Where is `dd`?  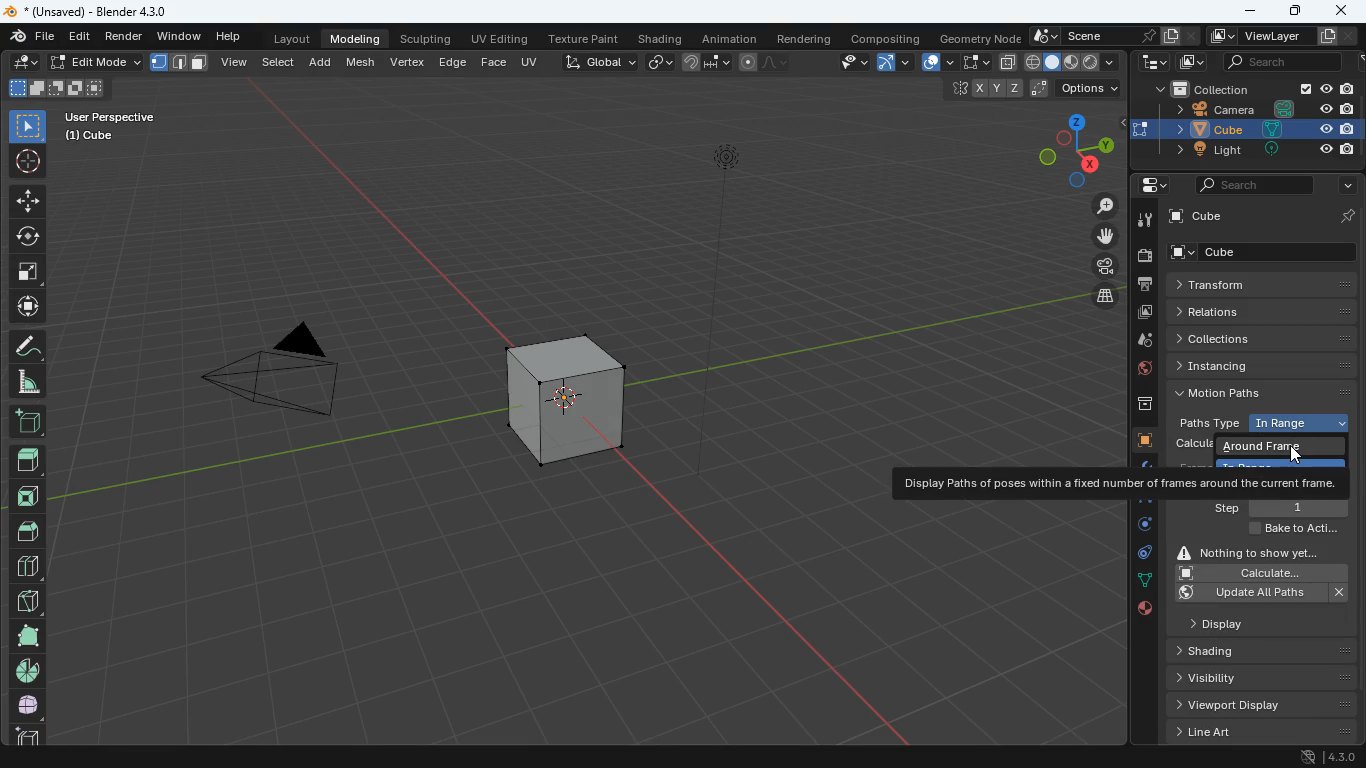
dd is located at coordinates (27, 420).